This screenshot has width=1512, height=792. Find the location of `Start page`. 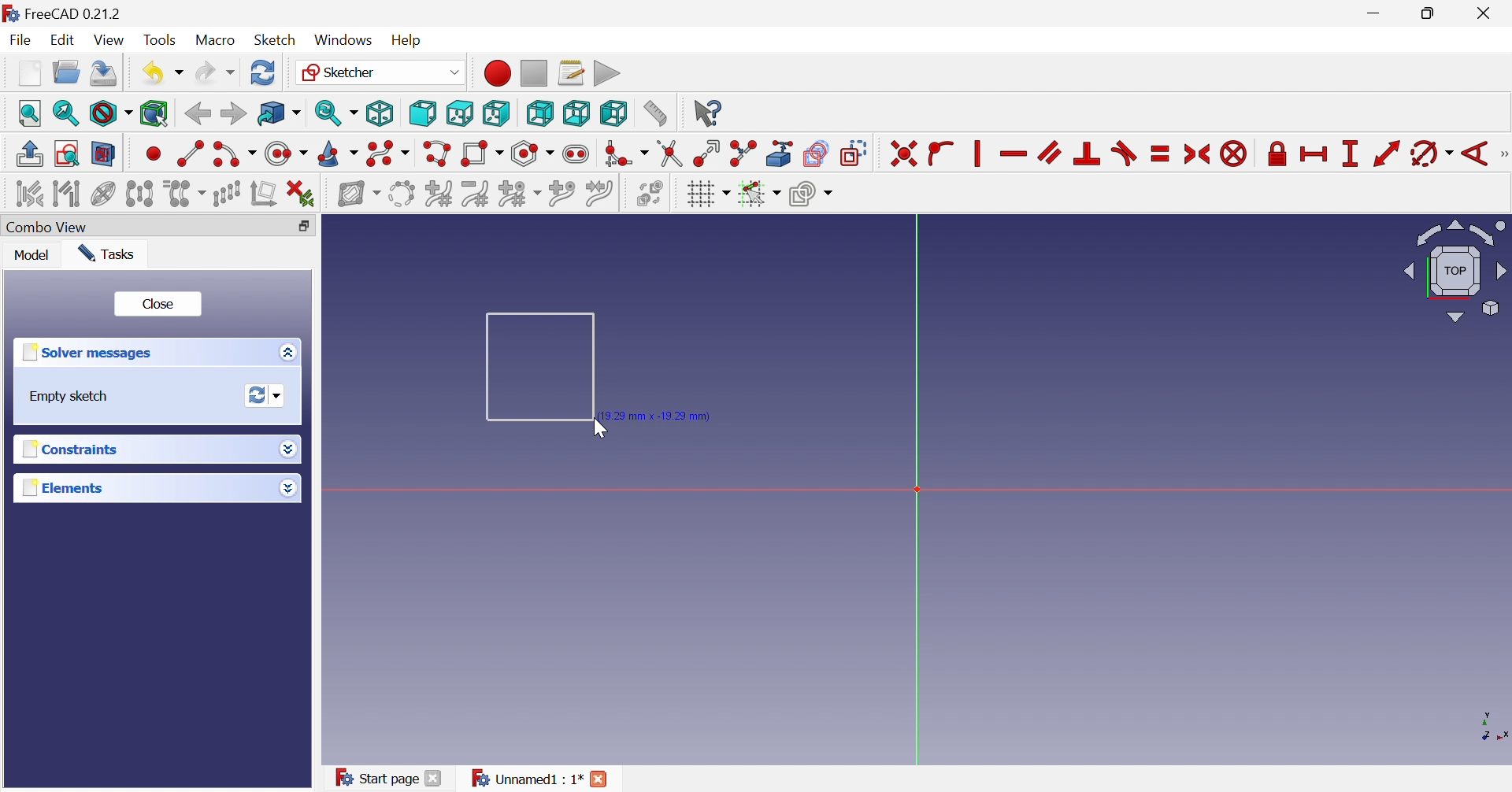

Start page is located at coordinates (376, 776).